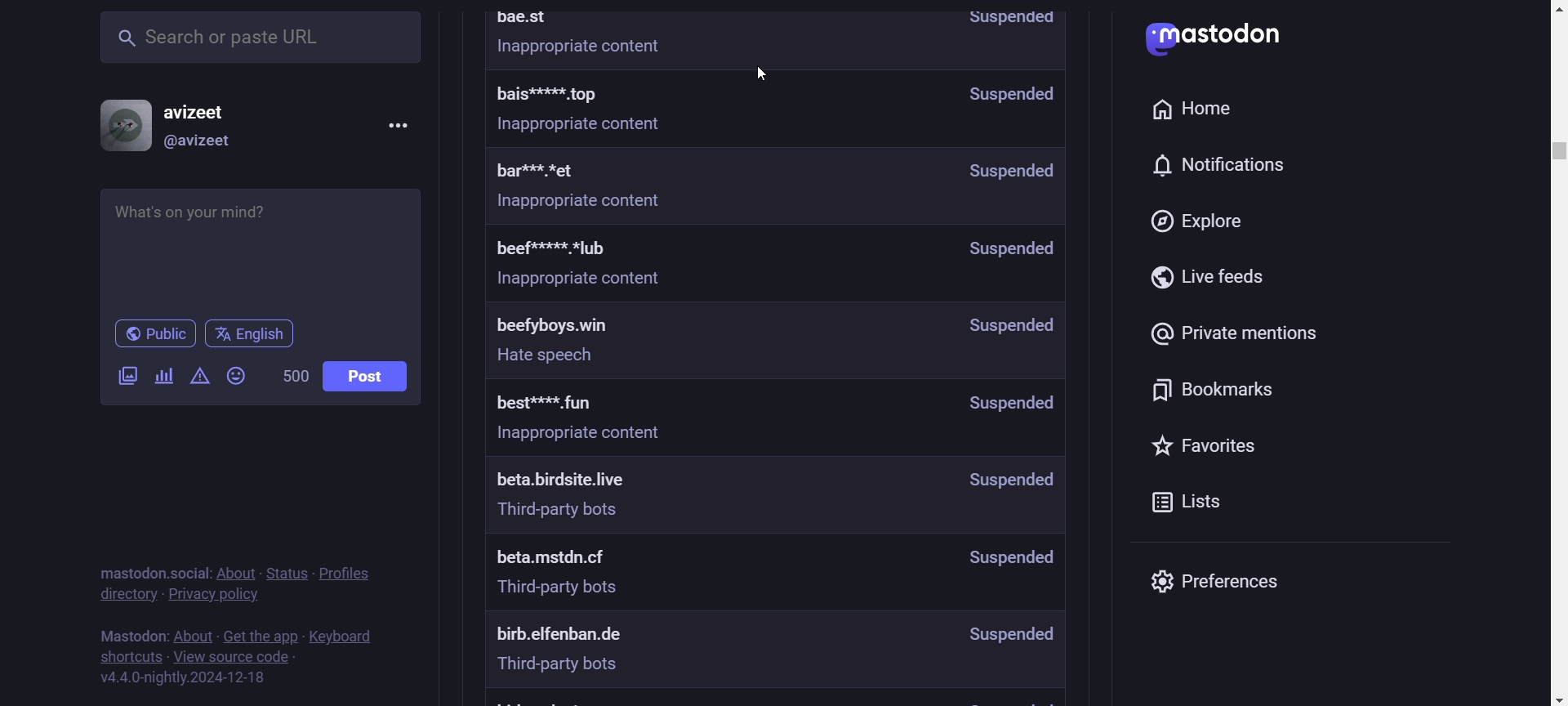  I want to click on moderated server's information, so click(775, 106).